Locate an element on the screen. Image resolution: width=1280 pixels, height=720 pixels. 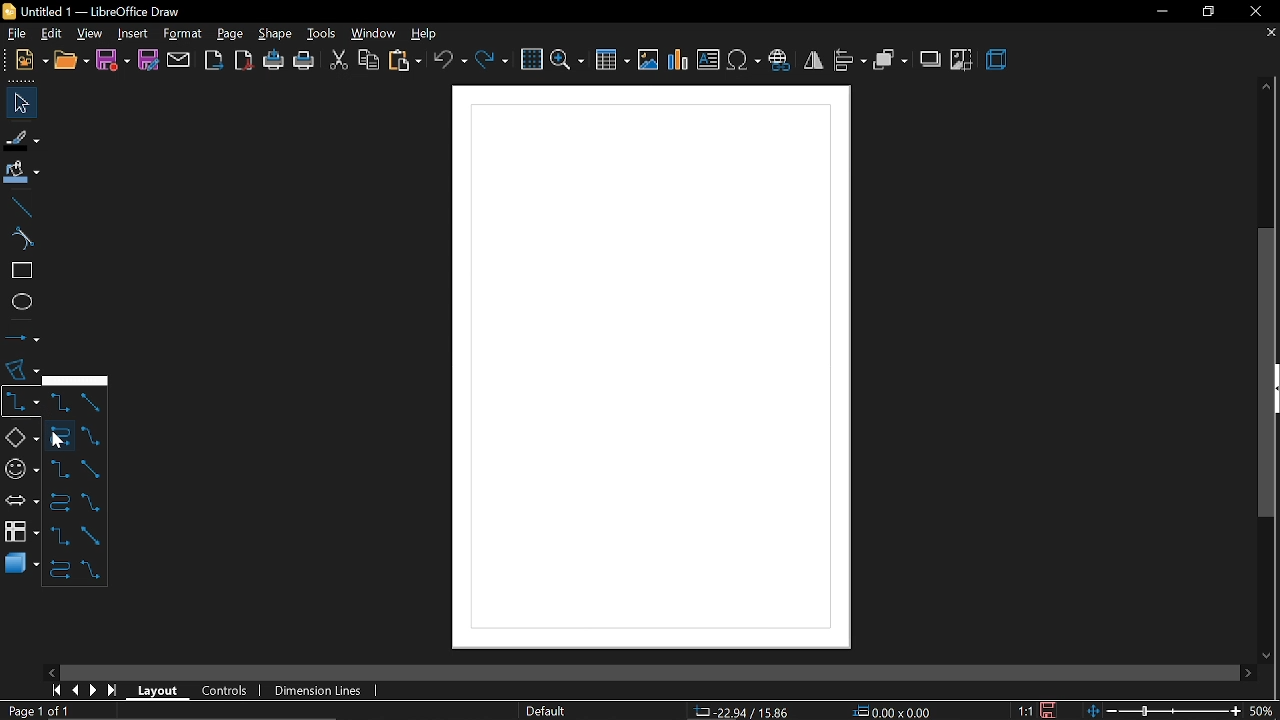
Insert chart is located at coordinates (679, 60).